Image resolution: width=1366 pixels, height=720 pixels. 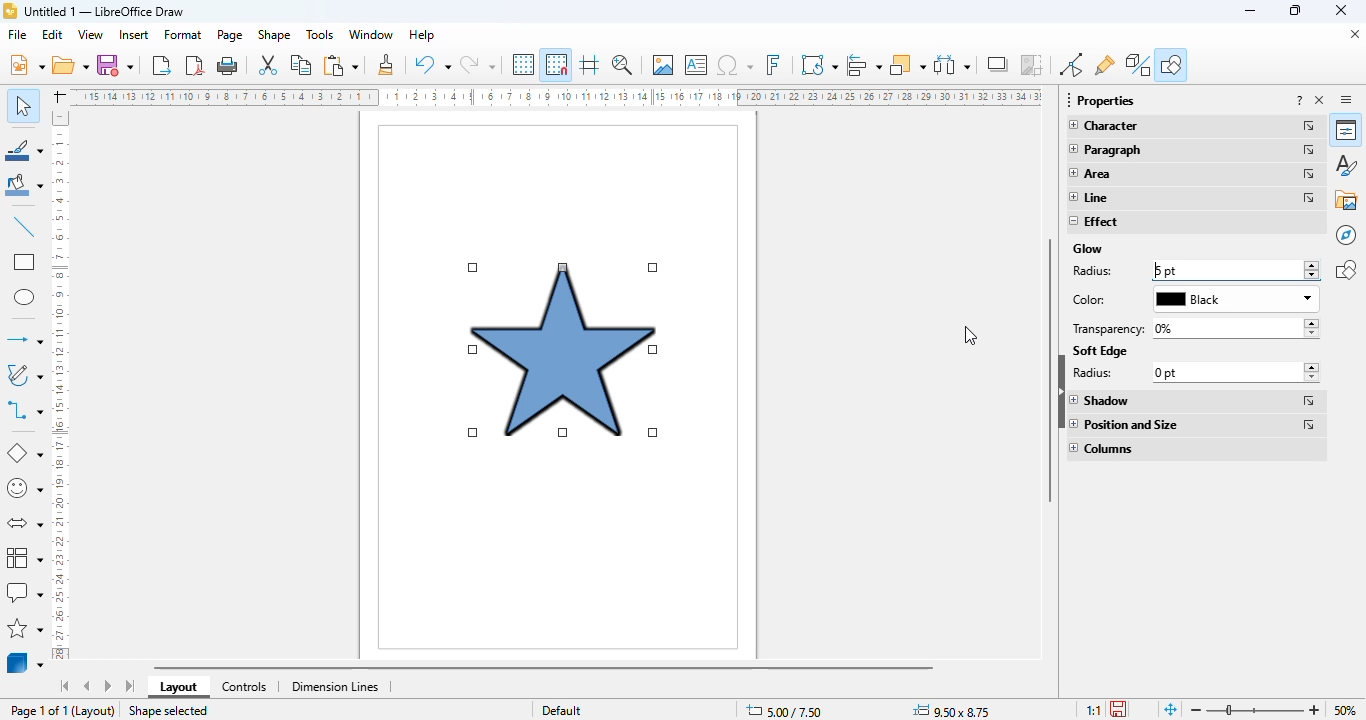 What do you see at coordinates (108, 686) in the screenshot?
I see `scroll to next sheet` at bounding box center [108, 686].